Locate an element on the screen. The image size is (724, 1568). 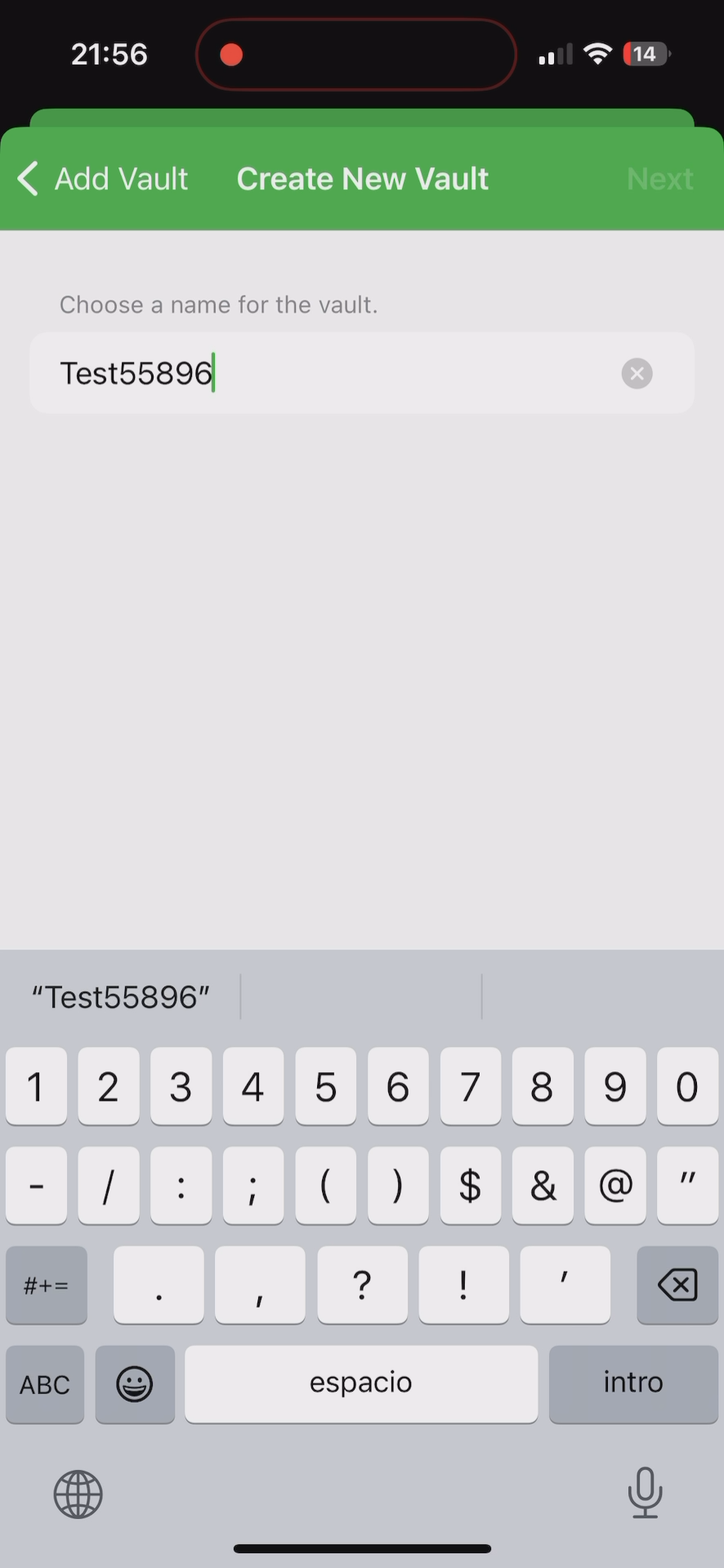
21:56 is located at coordinates (107, 57).